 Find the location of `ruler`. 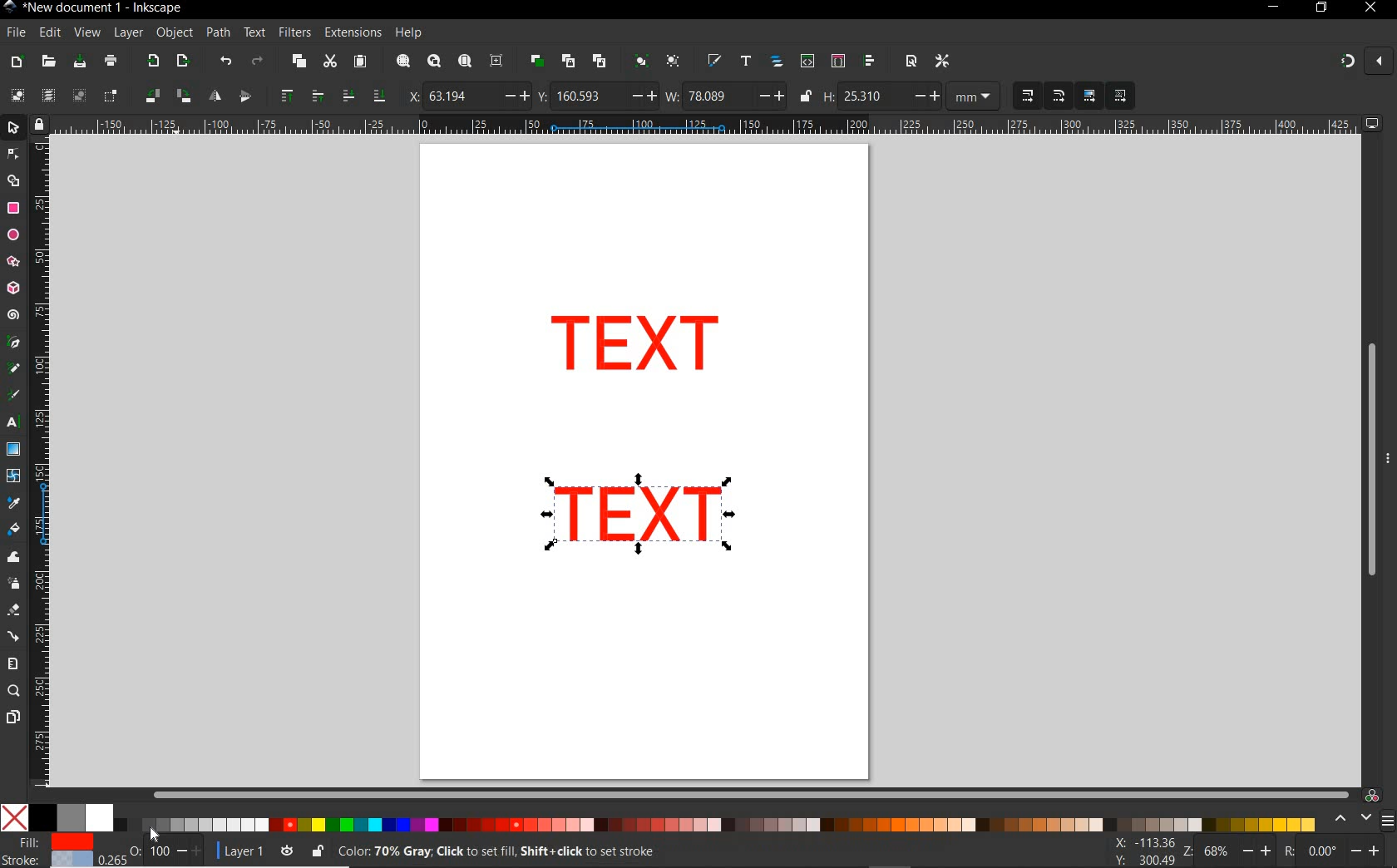

ruler is located at coordinates (707, 126).